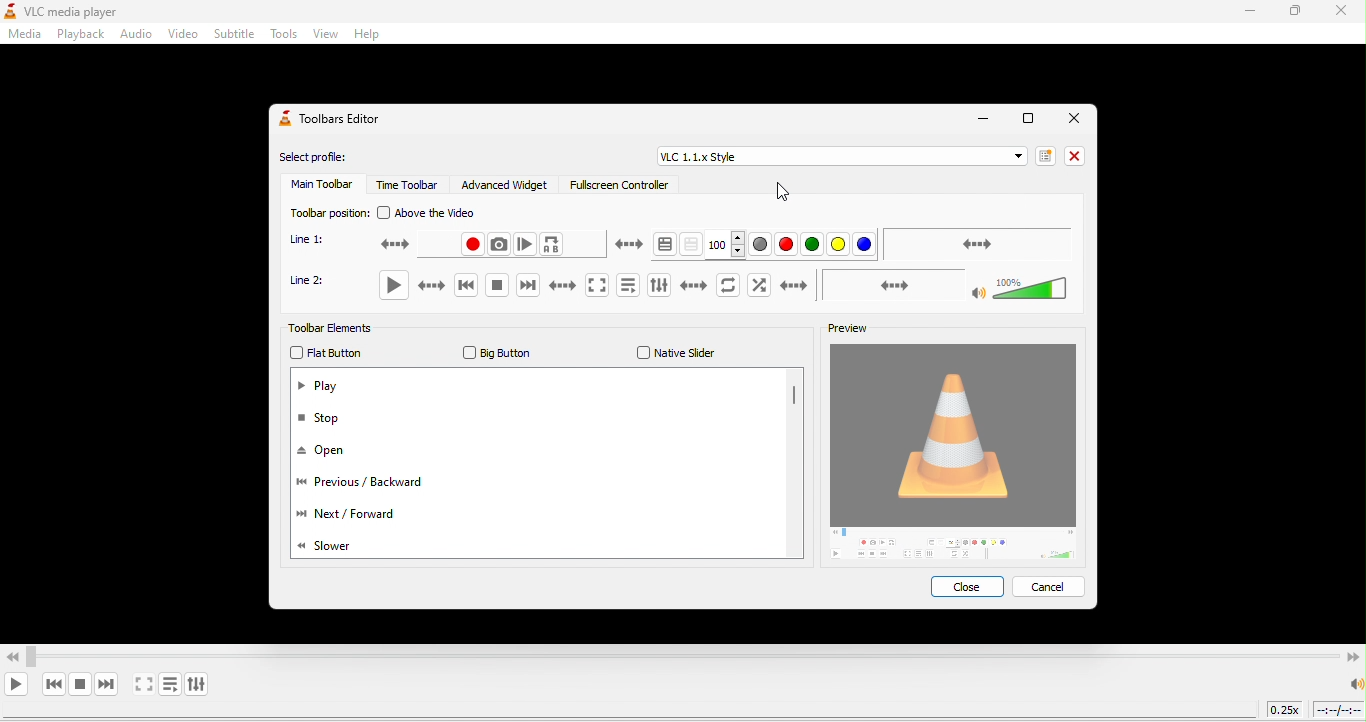 This screenshot has width=1366, height=722. I want to click on green, so click(813, 246).